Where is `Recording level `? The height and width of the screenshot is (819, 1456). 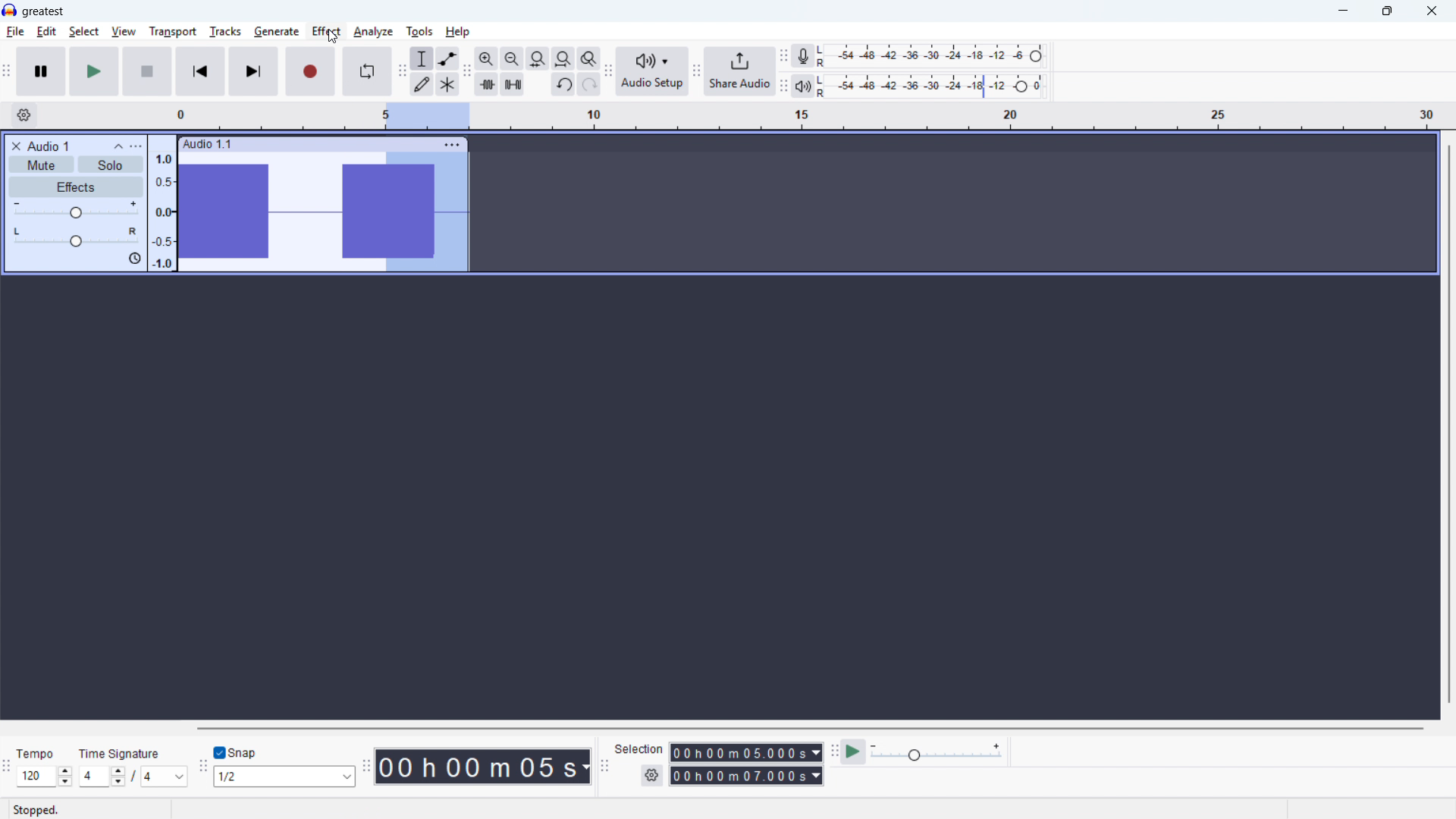
Recording level  is located at coordinates (935, 56).